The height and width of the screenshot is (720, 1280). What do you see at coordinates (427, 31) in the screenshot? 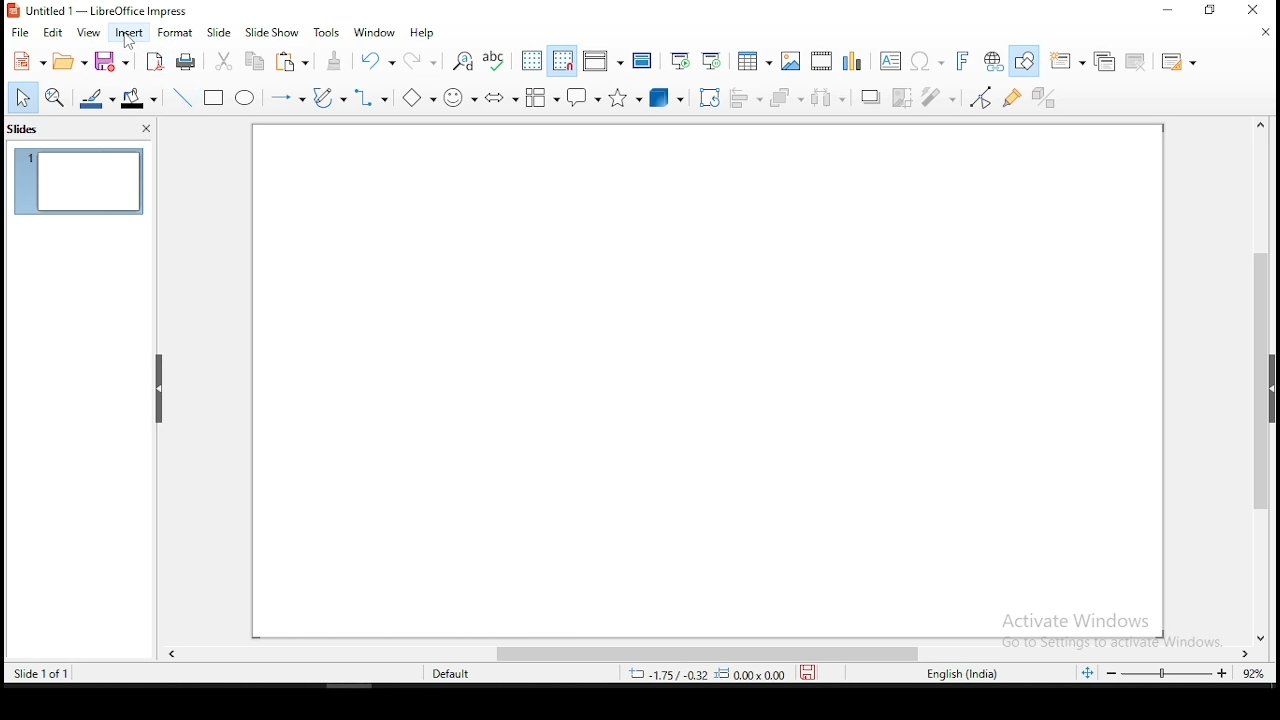
I see `help` at bounding box center [427, 31].